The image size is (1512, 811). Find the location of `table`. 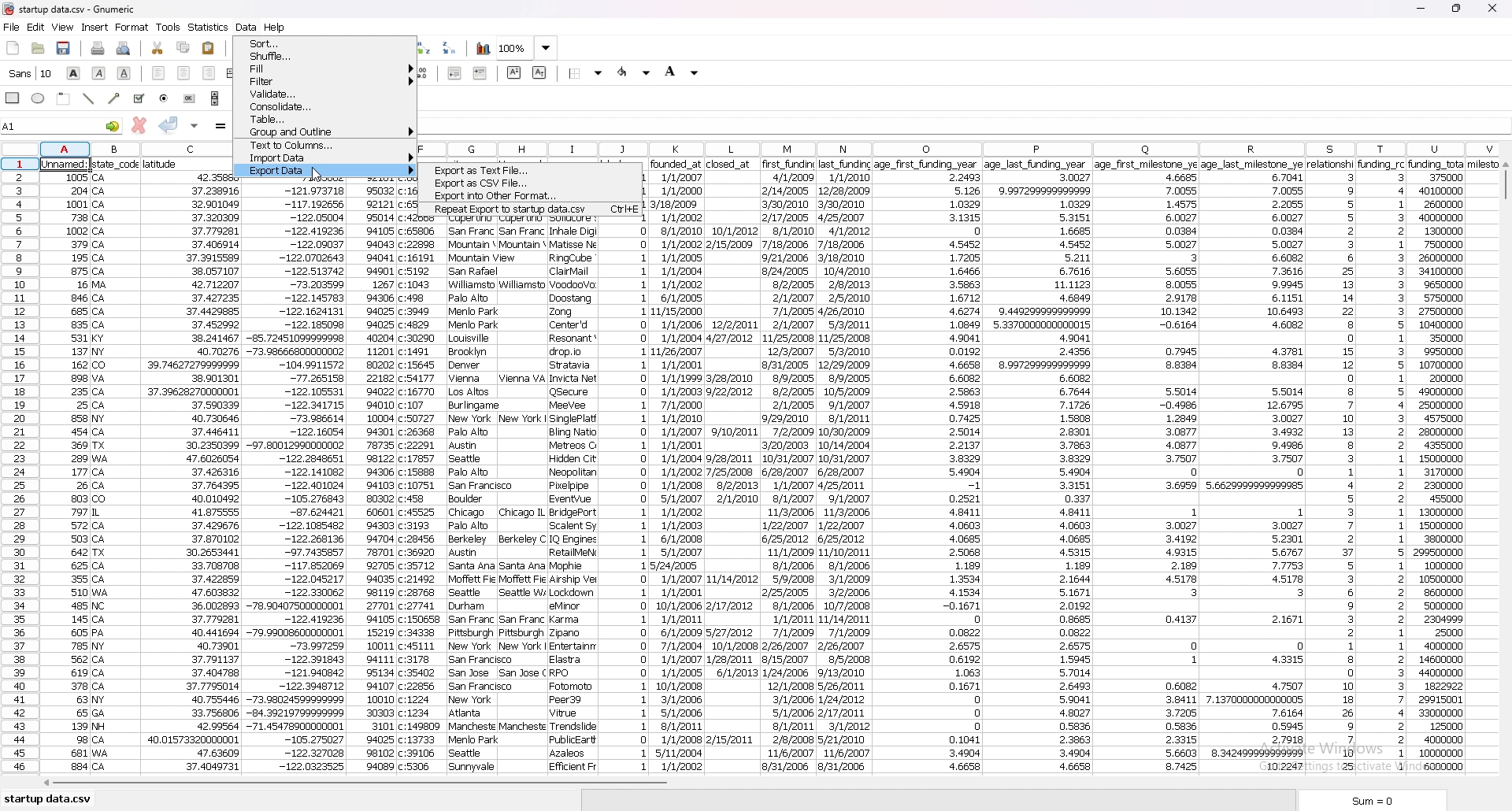

table is located at coordinates (324, 119).